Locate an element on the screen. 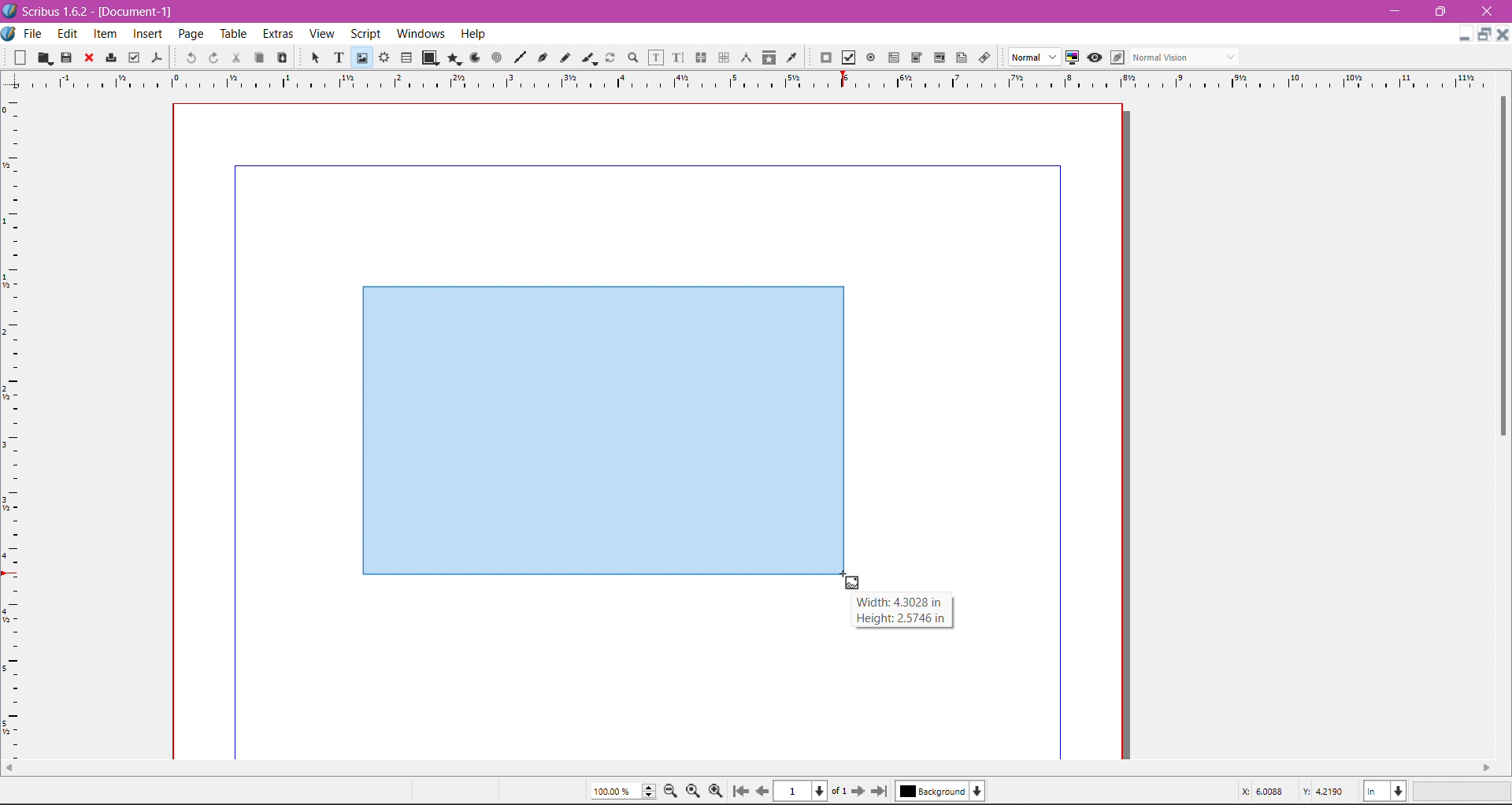 This screenshot has width=1512, height=805. PDF text Field is located at coordinates (894, 57).